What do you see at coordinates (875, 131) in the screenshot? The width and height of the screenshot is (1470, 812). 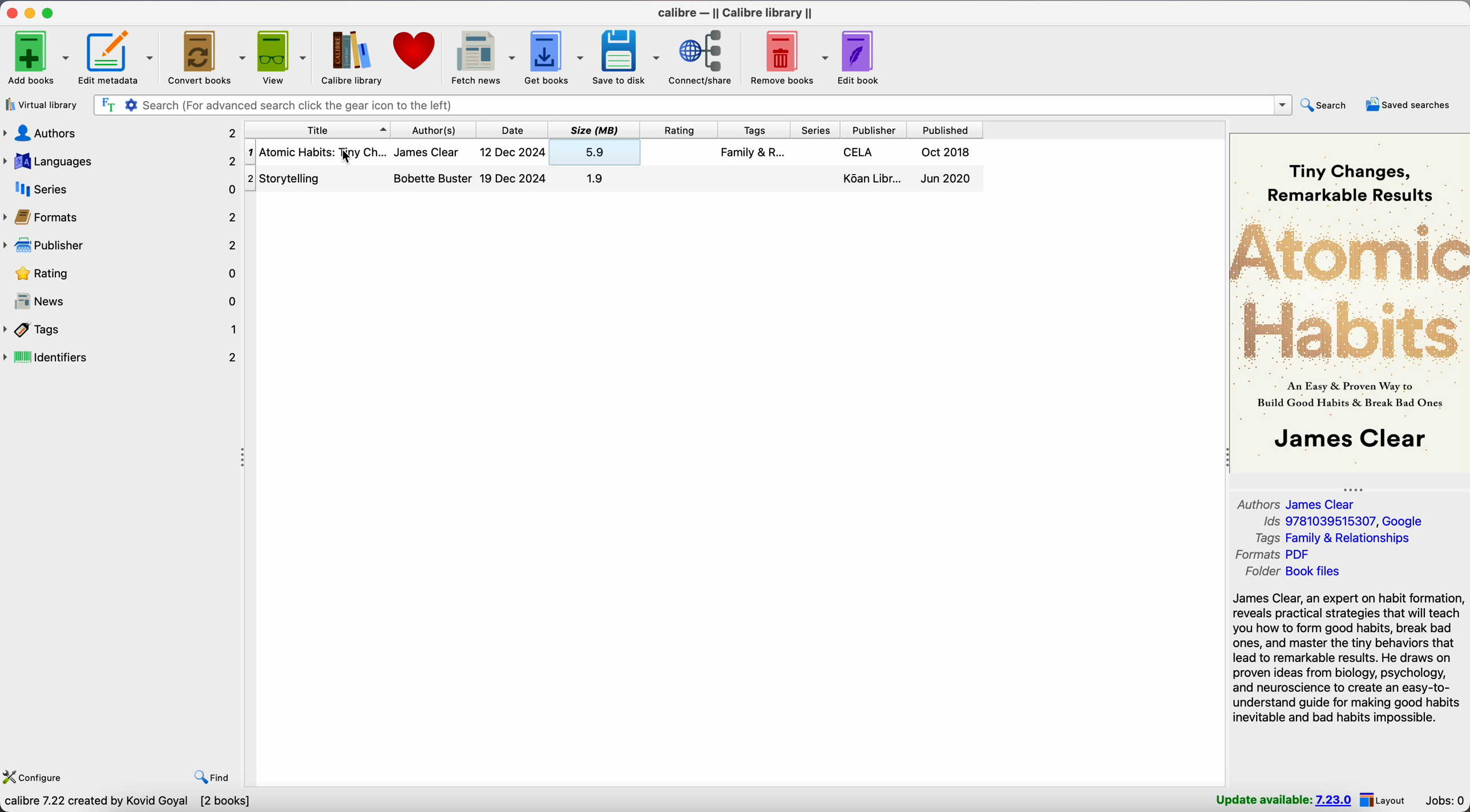 I see `publisher` at bounding box center [875, 131].